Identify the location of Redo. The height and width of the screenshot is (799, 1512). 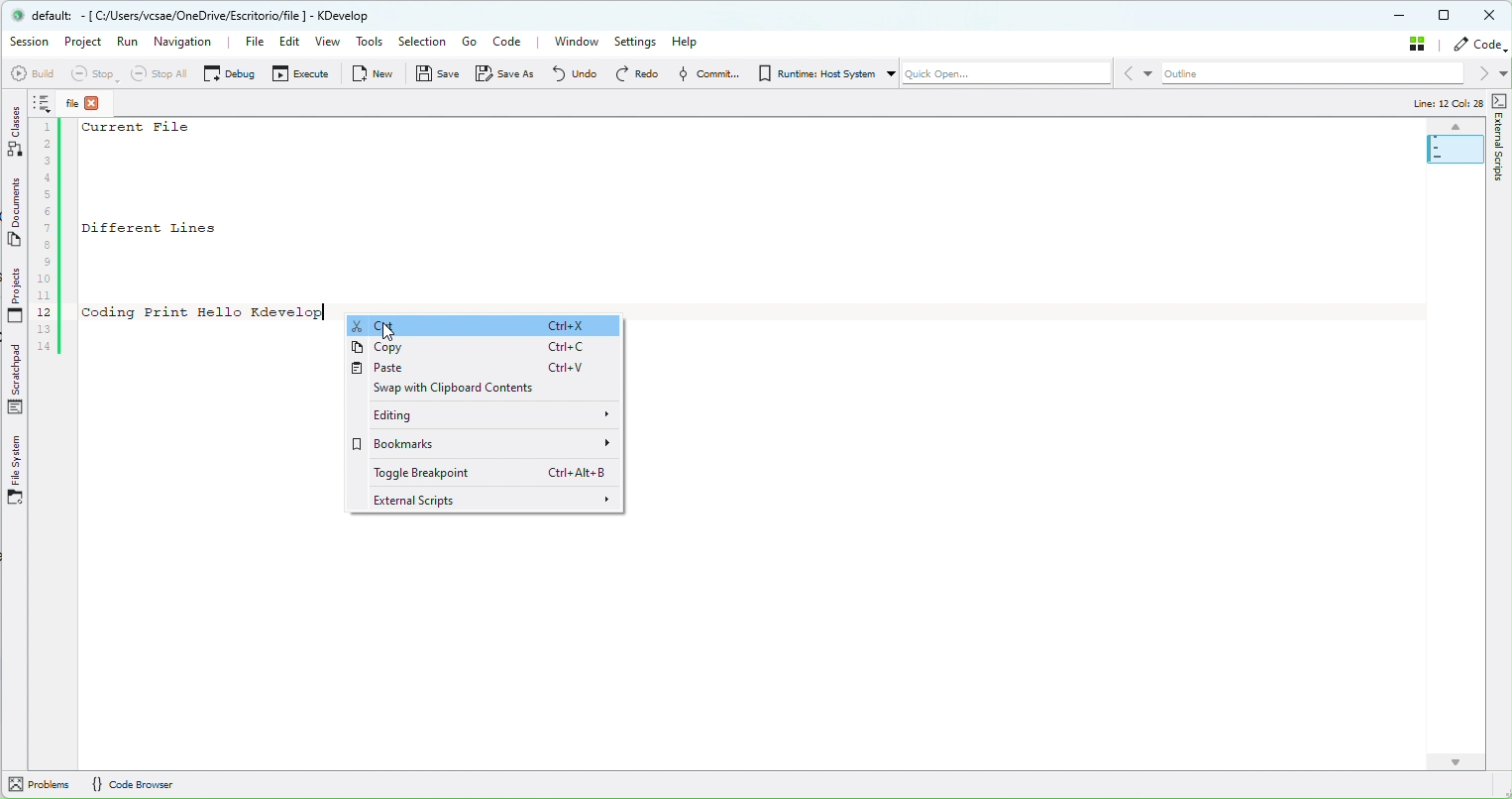
(630, 73).